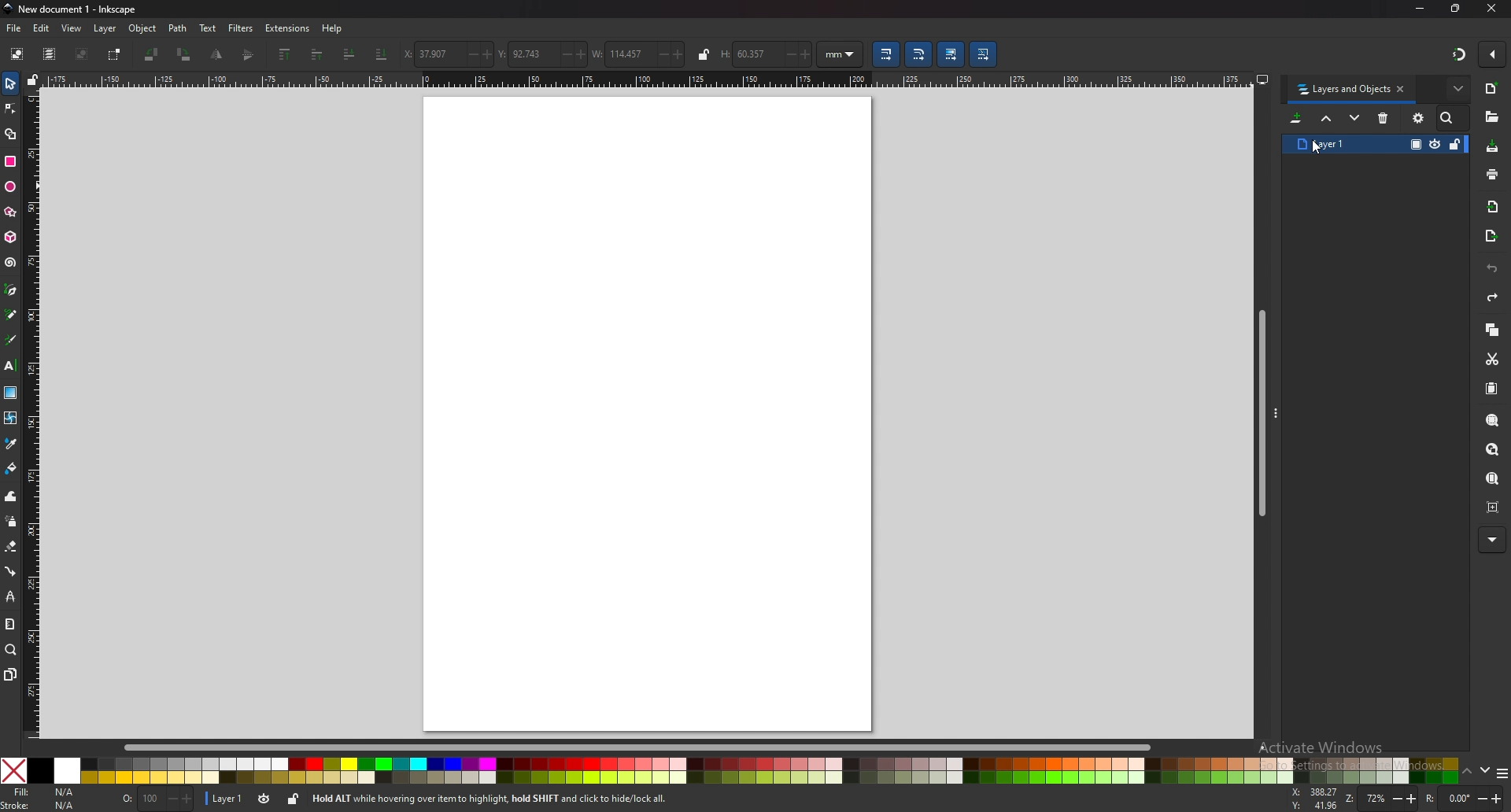 The image size is (1511, 812). What do you see at coordinates (11, 520) in the screenshot?
I see `spray` at bounding box center [11, 520].